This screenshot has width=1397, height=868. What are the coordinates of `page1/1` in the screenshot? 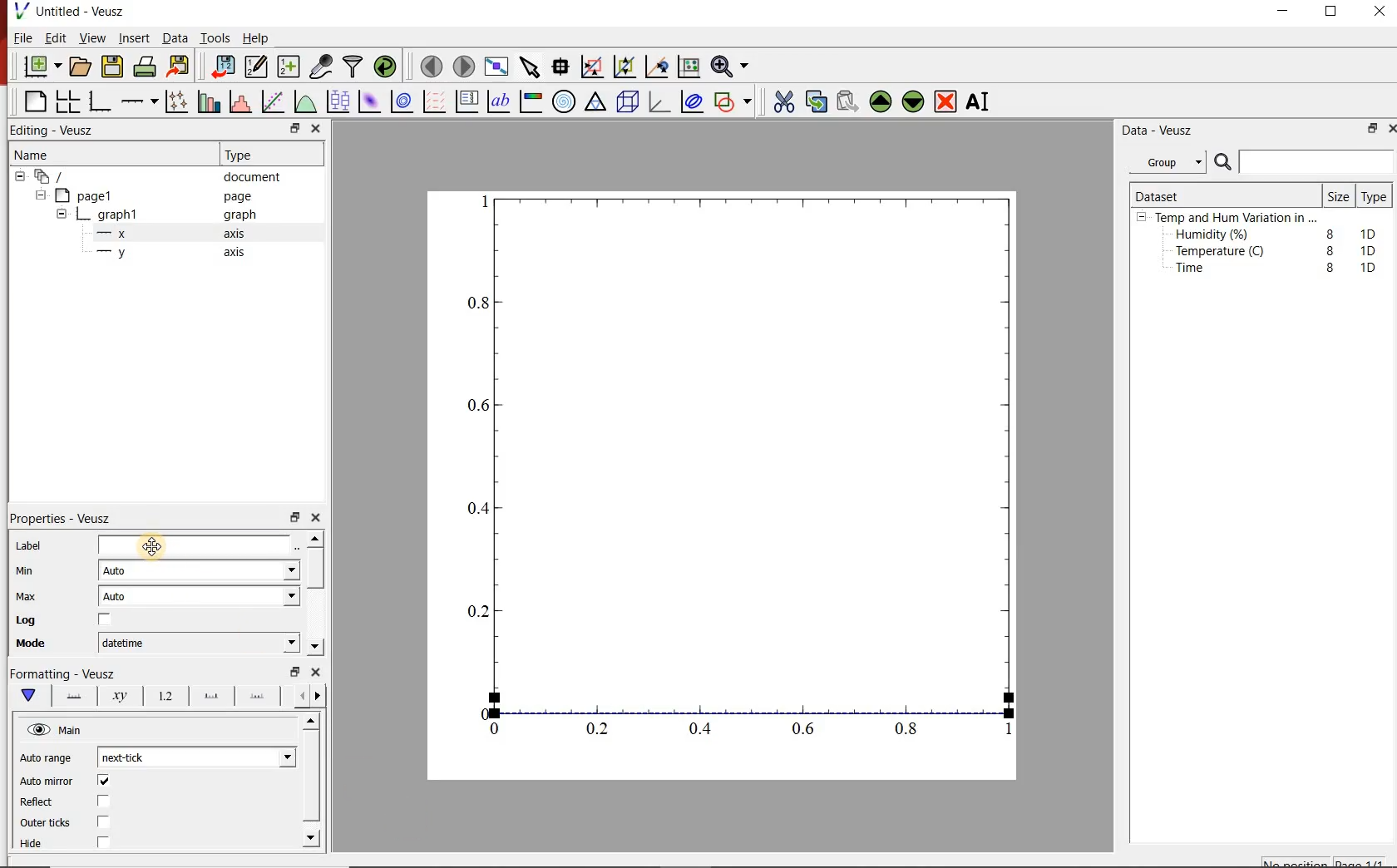 It's located at (1365, 861).